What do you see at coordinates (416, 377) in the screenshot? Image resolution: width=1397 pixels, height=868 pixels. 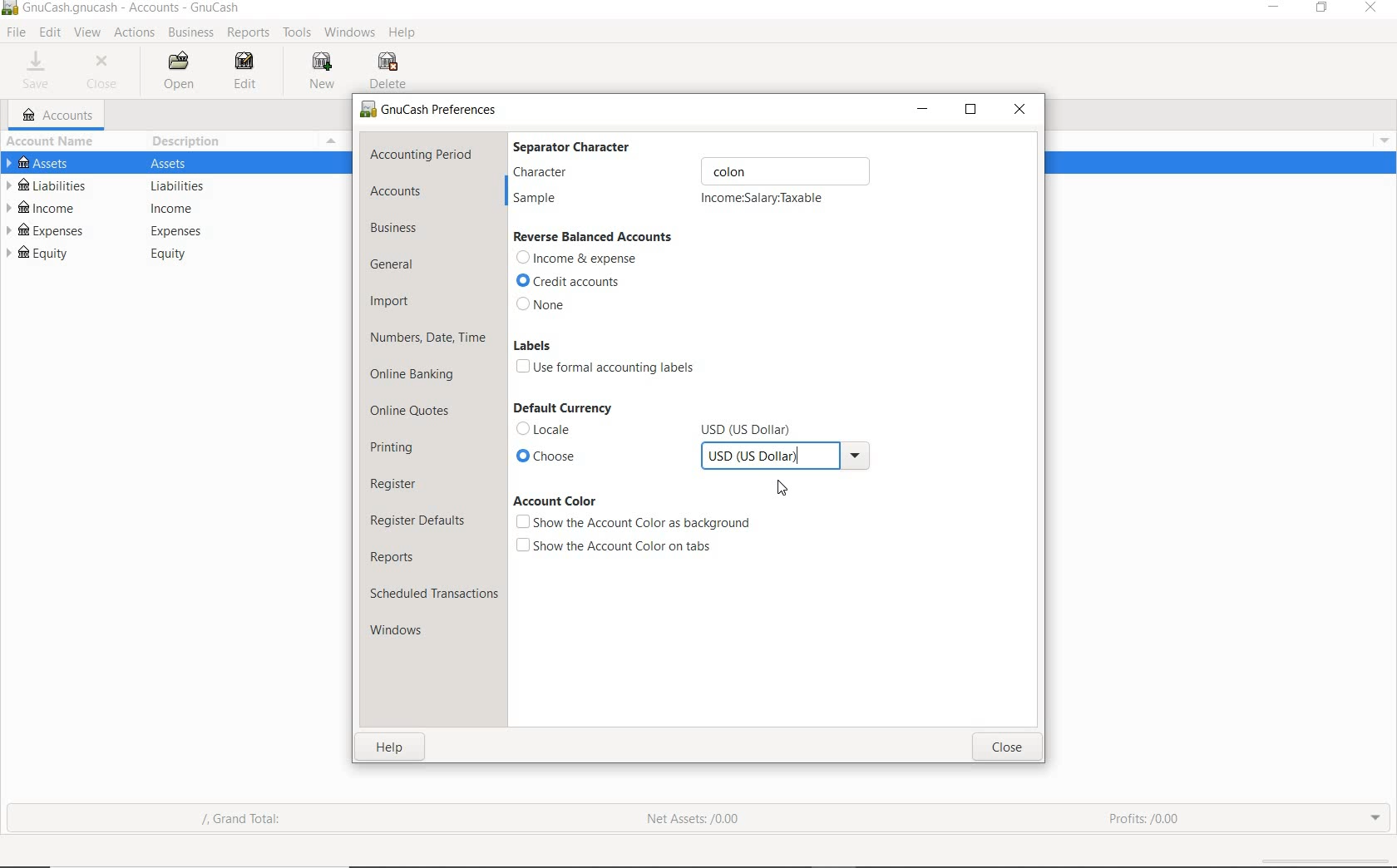 I see `online banking` at bounding box center [416, 377].